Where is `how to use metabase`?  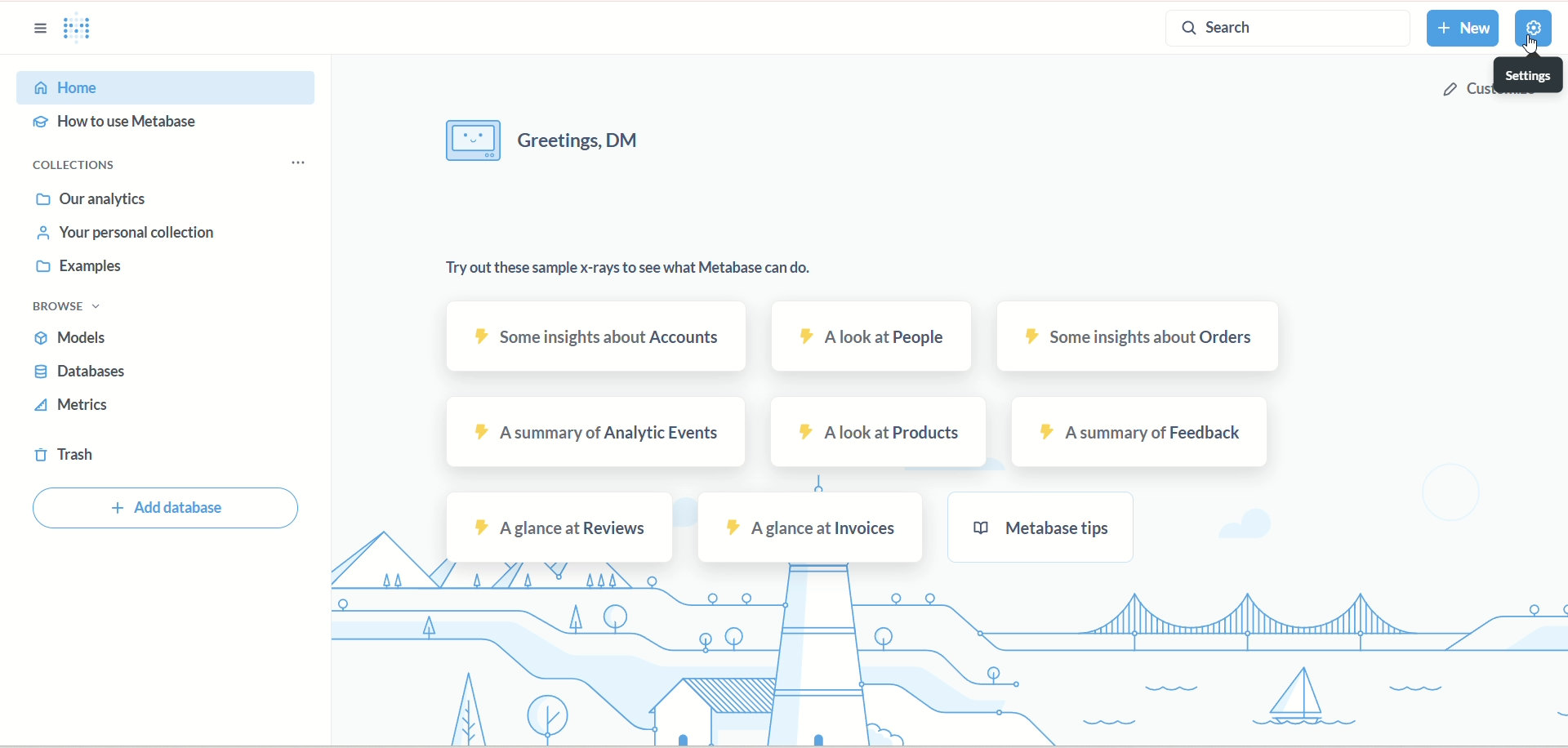 how to use metabase is located at coordinates (119, 125).